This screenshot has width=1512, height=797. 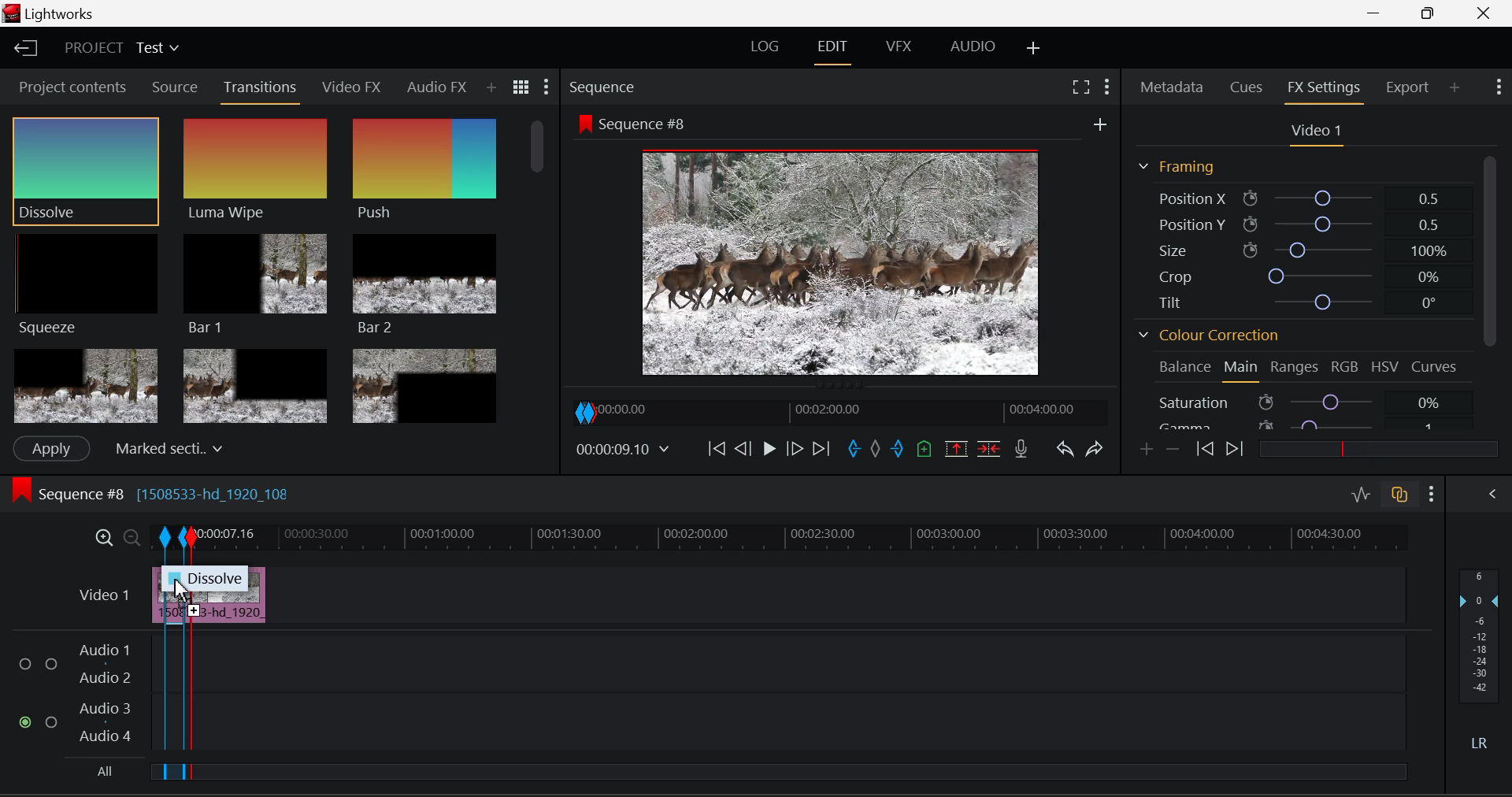 What do you see at coordinates (1242, 369) in the screenshot?
I see `Main` at bounding box center [1242, 369].